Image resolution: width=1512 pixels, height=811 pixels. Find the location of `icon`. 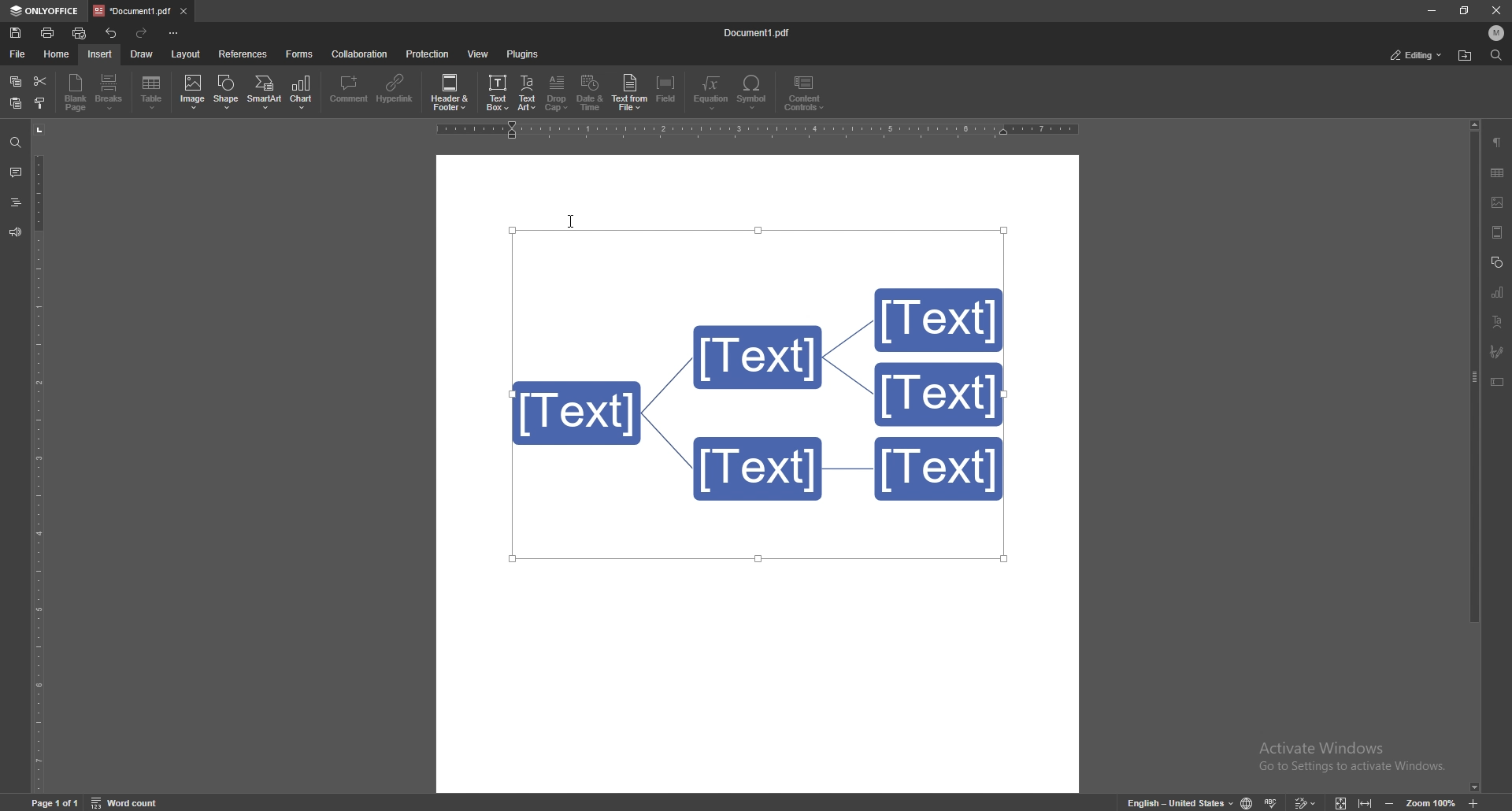

icon is located at coordinates (1390, 802).